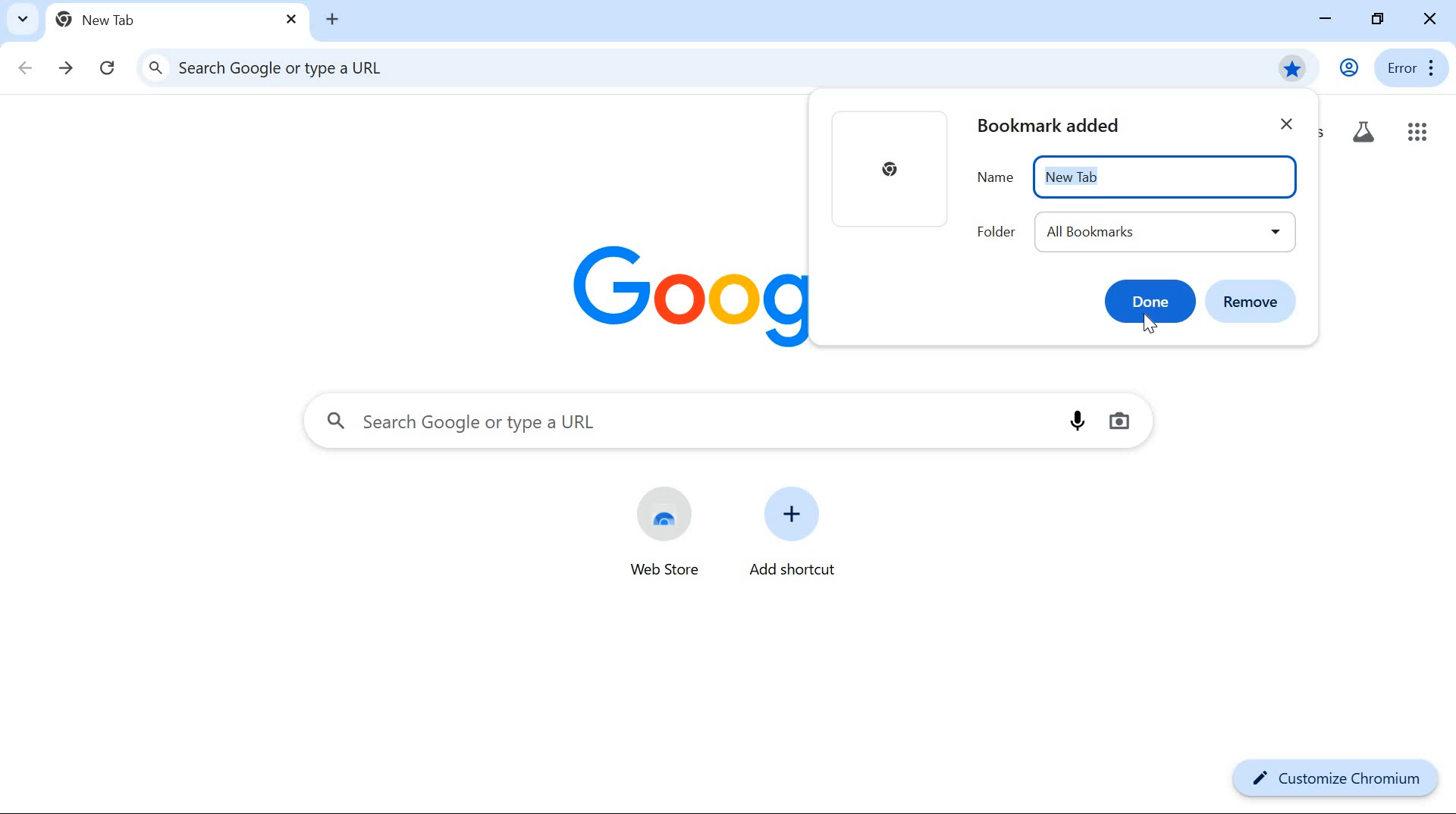 This screenshot has height=814, width=1456. Describe the element at coordinates (991, 177) in the screenshot. I see `name` at that location.